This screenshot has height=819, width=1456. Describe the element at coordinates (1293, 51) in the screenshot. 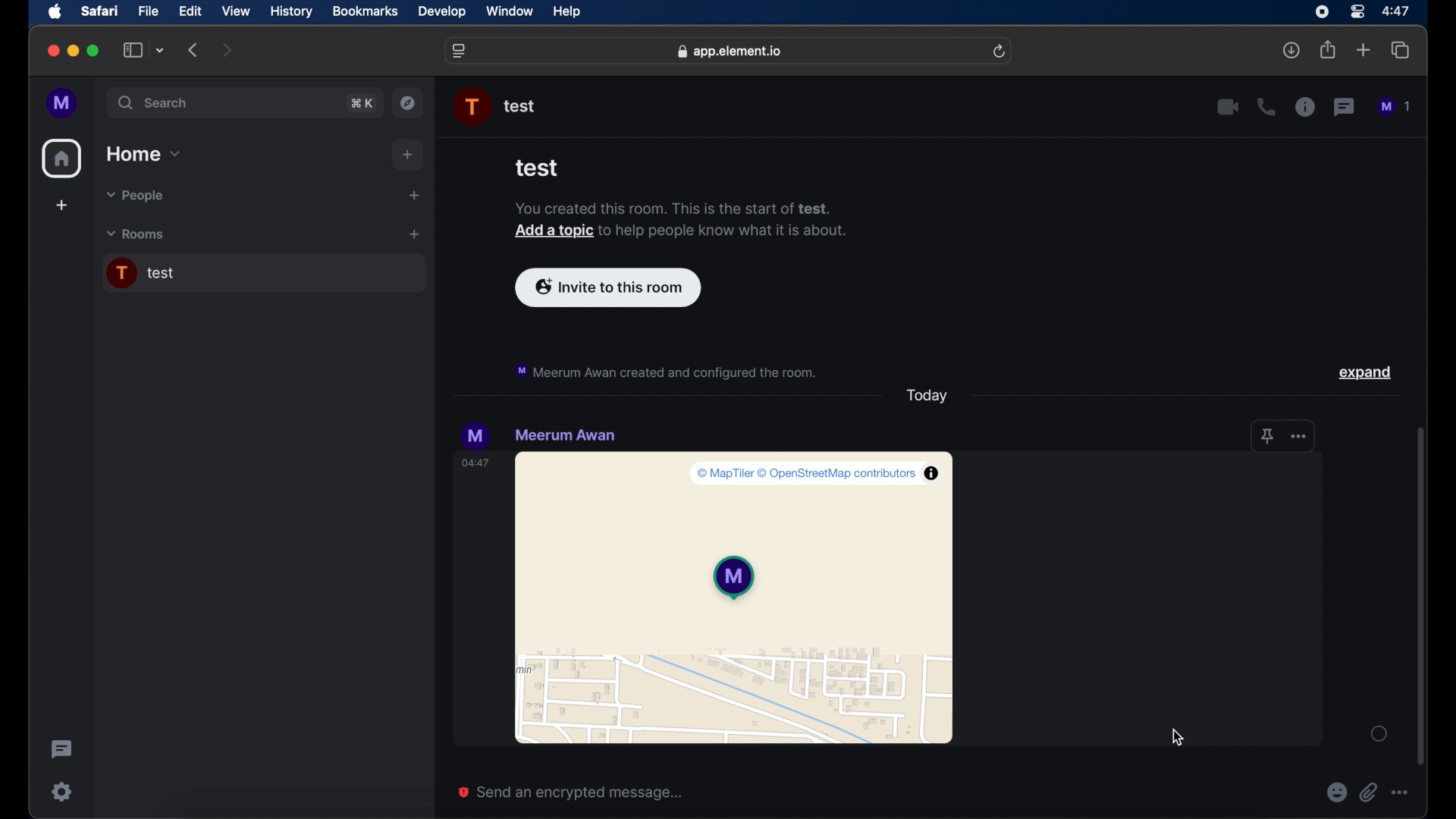

I see `downloads` at that location.